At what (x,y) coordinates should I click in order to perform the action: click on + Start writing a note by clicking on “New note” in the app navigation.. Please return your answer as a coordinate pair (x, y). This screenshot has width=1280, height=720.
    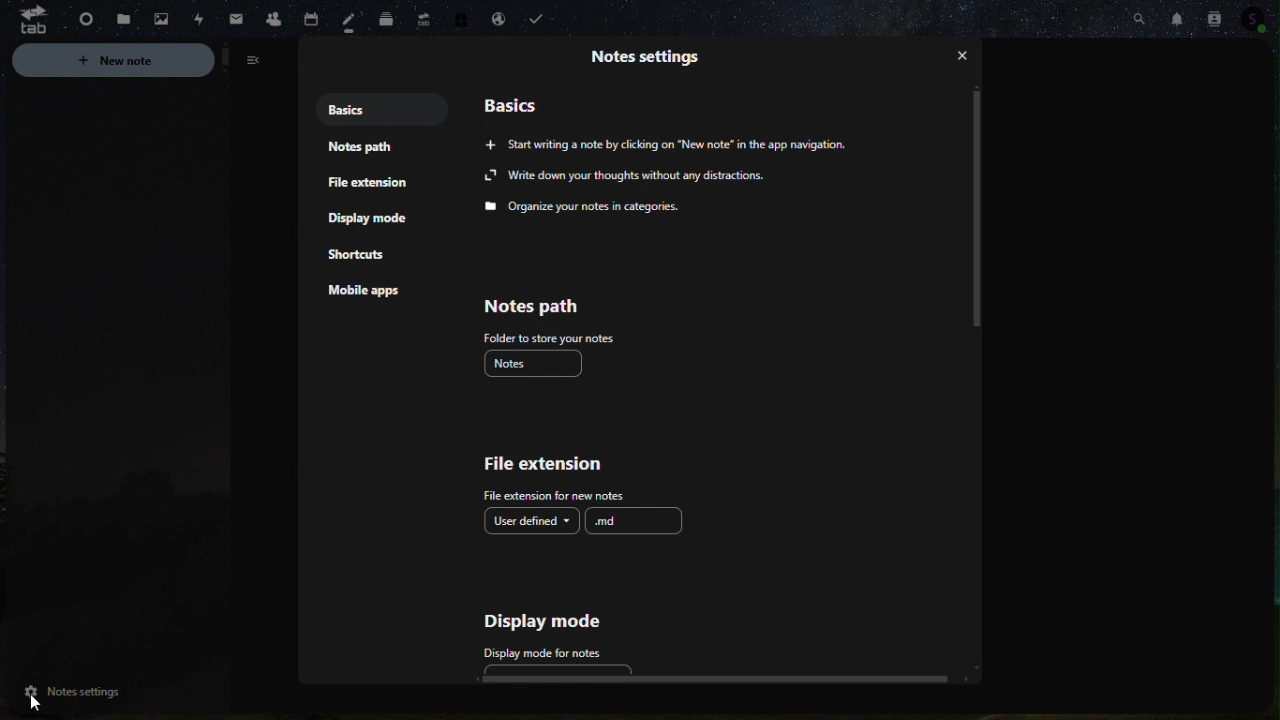
    Looking at the image, I should click on (660, 144).